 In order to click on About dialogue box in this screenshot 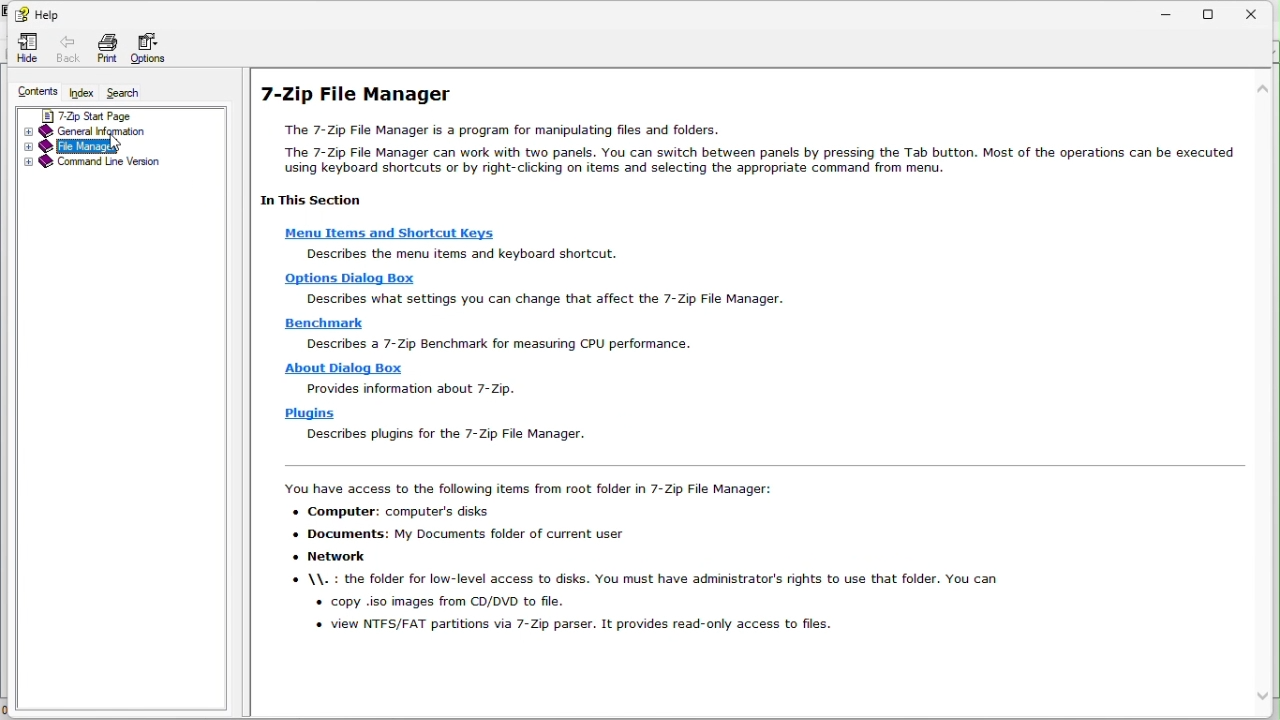, I will do `click(343, 368)`.